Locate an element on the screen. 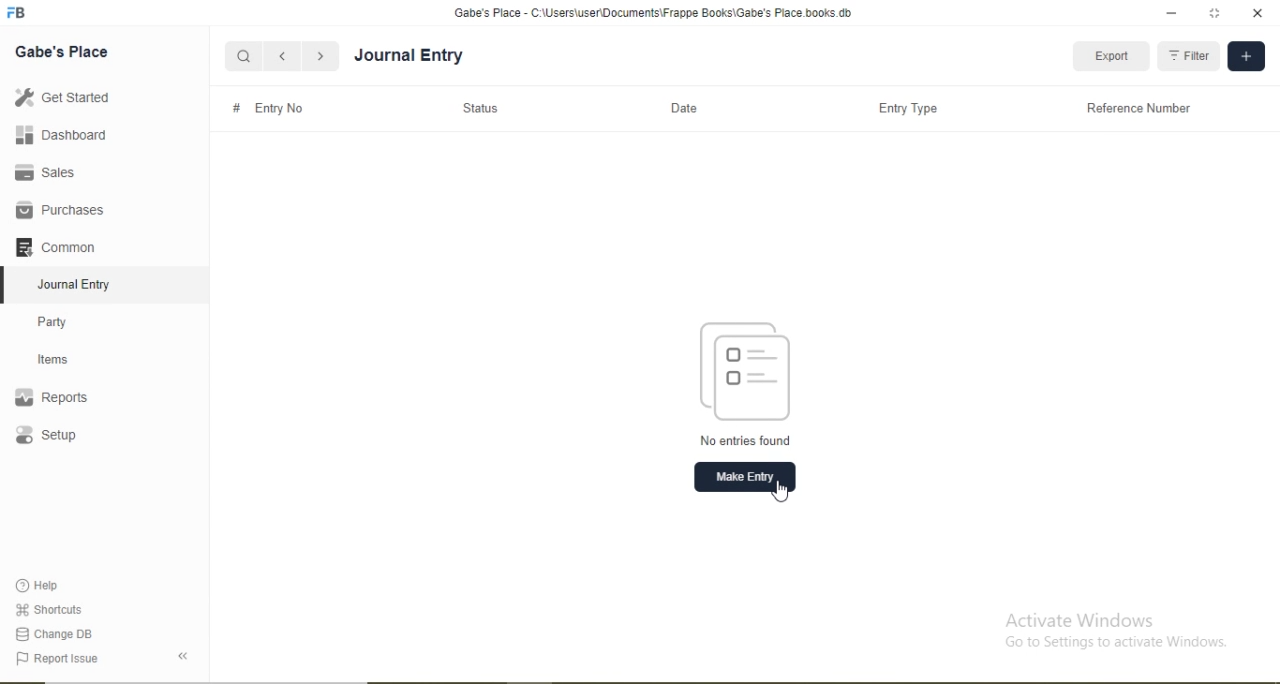  icon is located at coordinates (754, 369).